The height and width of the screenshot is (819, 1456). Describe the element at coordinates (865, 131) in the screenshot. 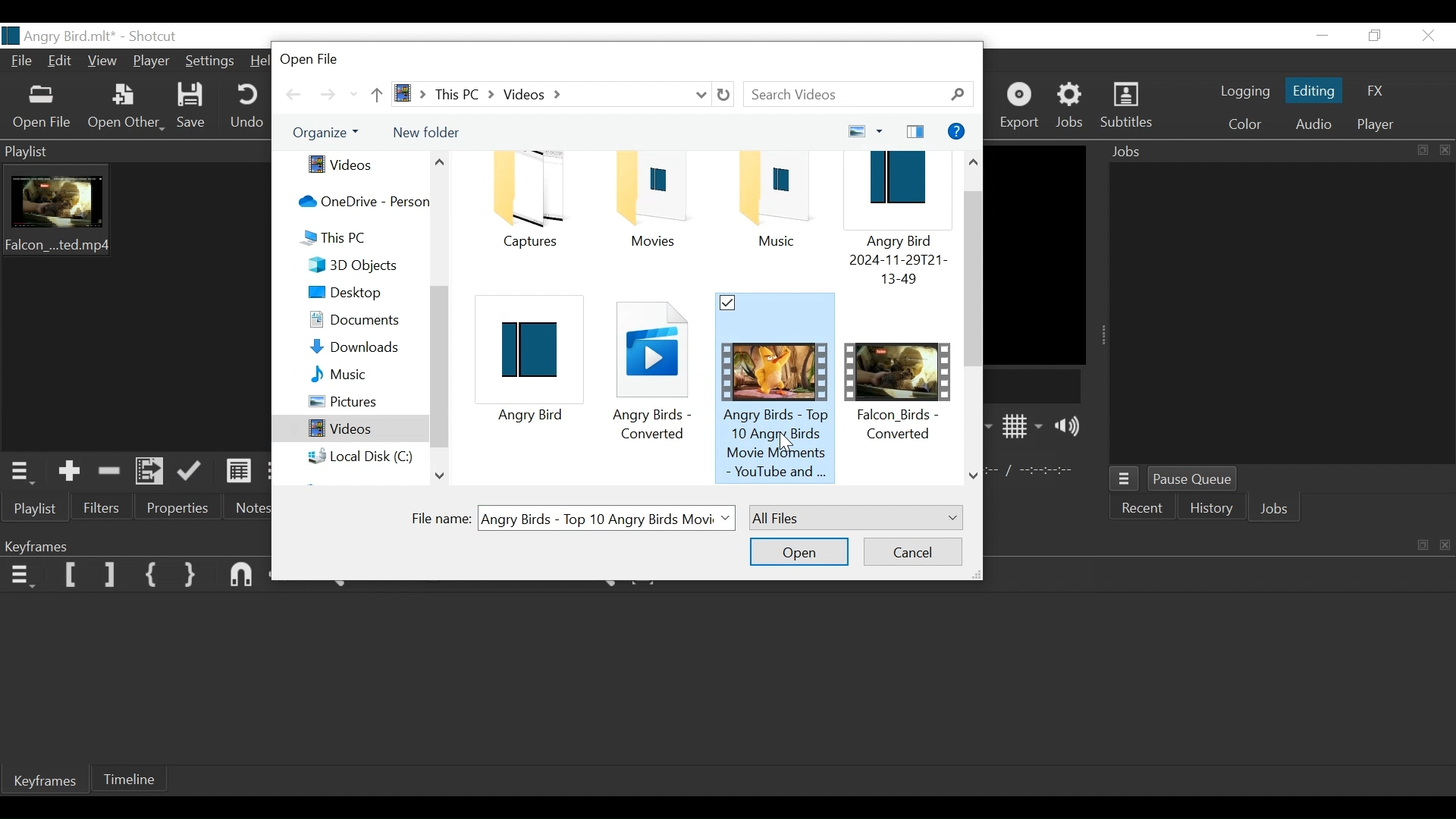

I see `Change your view` at that location.